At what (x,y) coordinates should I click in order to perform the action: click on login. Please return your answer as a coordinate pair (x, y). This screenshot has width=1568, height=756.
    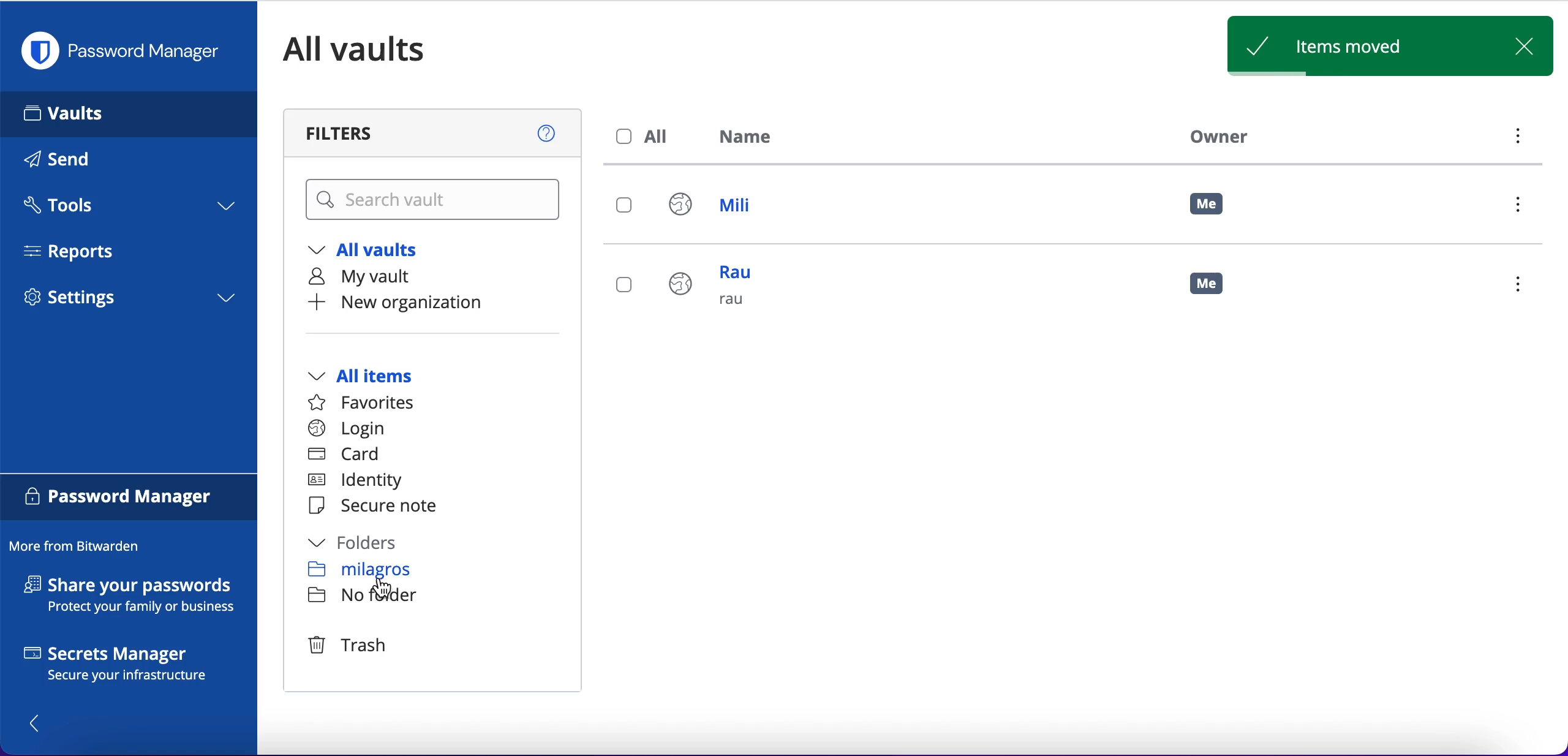
    Looking at the image, I should click on (347, 429).